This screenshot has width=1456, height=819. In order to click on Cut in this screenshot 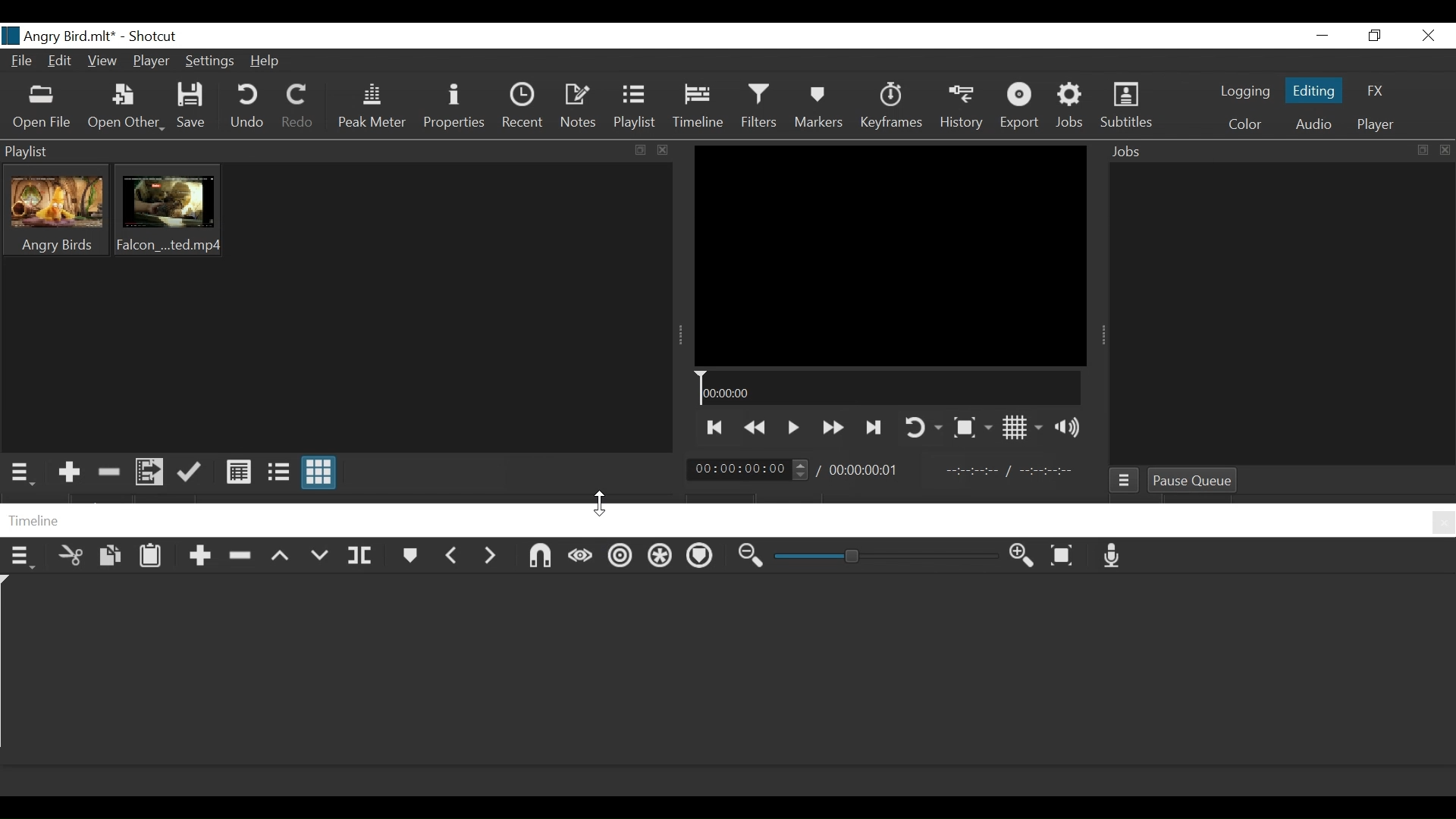, I will do `click(71, 557)`.